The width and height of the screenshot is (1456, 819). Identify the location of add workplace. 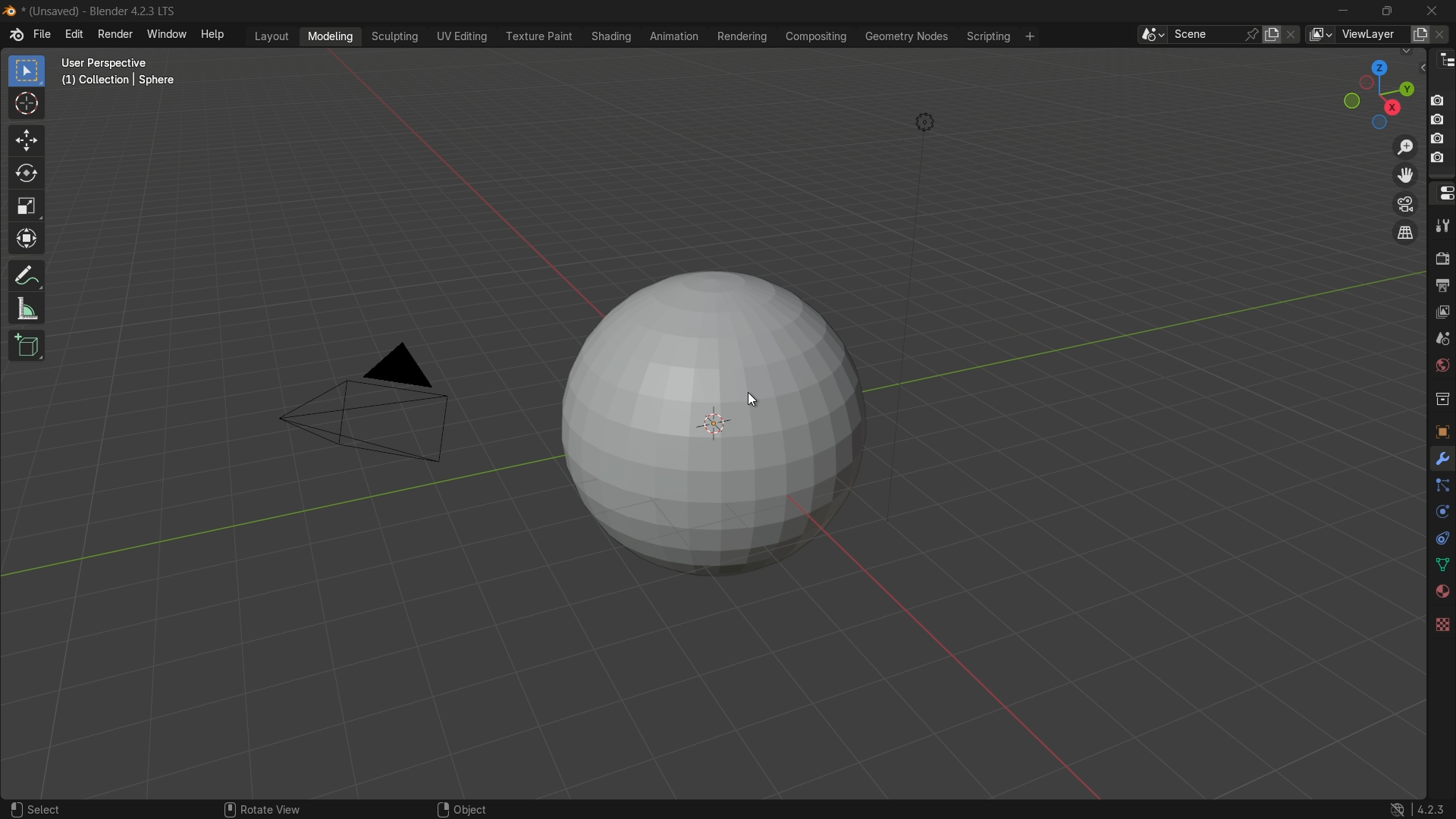
(1028, 36).